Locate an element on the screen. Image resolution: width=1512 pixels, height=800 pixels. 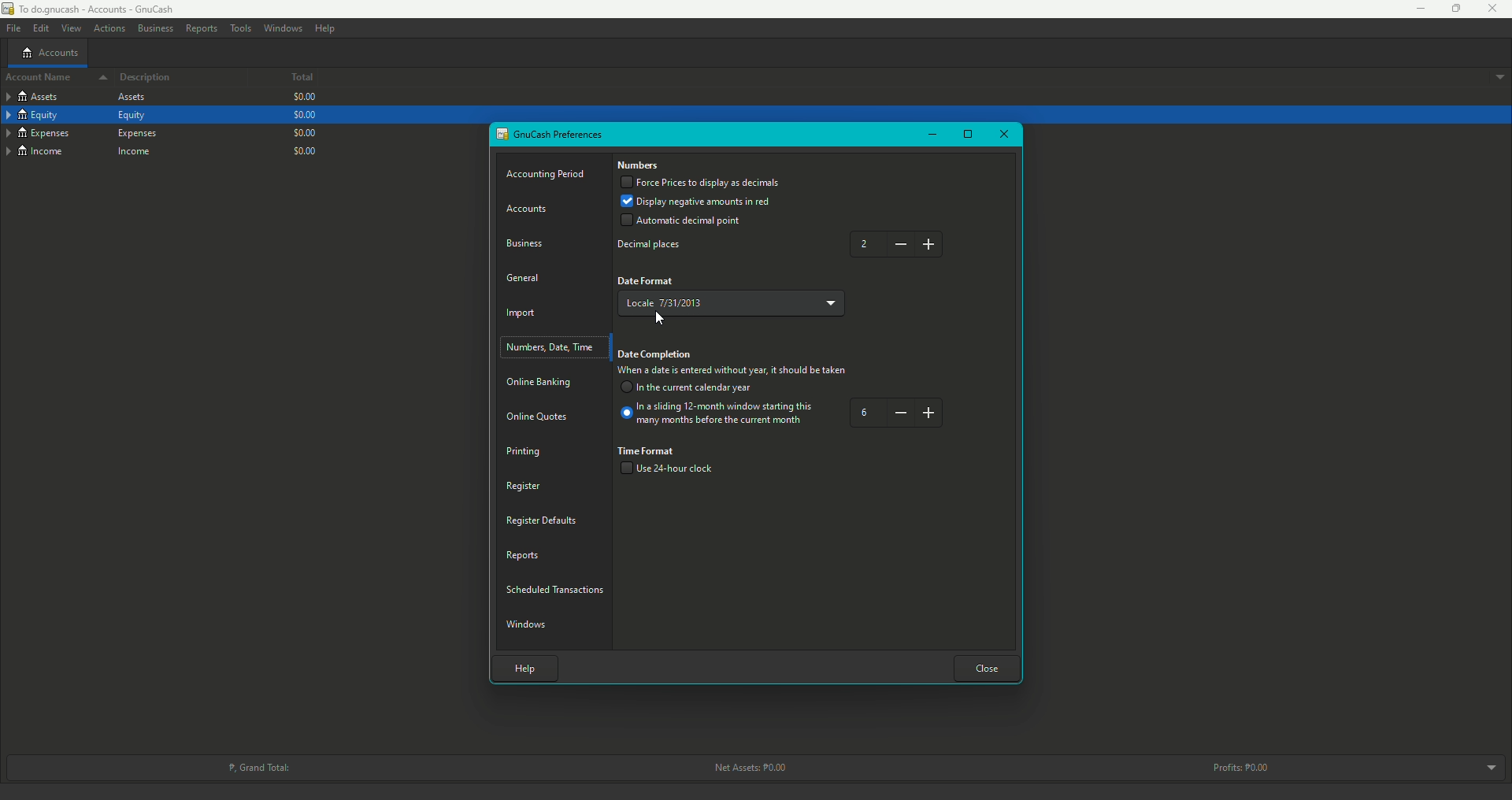
In the current calendar year is located at coordinates (689, 389).